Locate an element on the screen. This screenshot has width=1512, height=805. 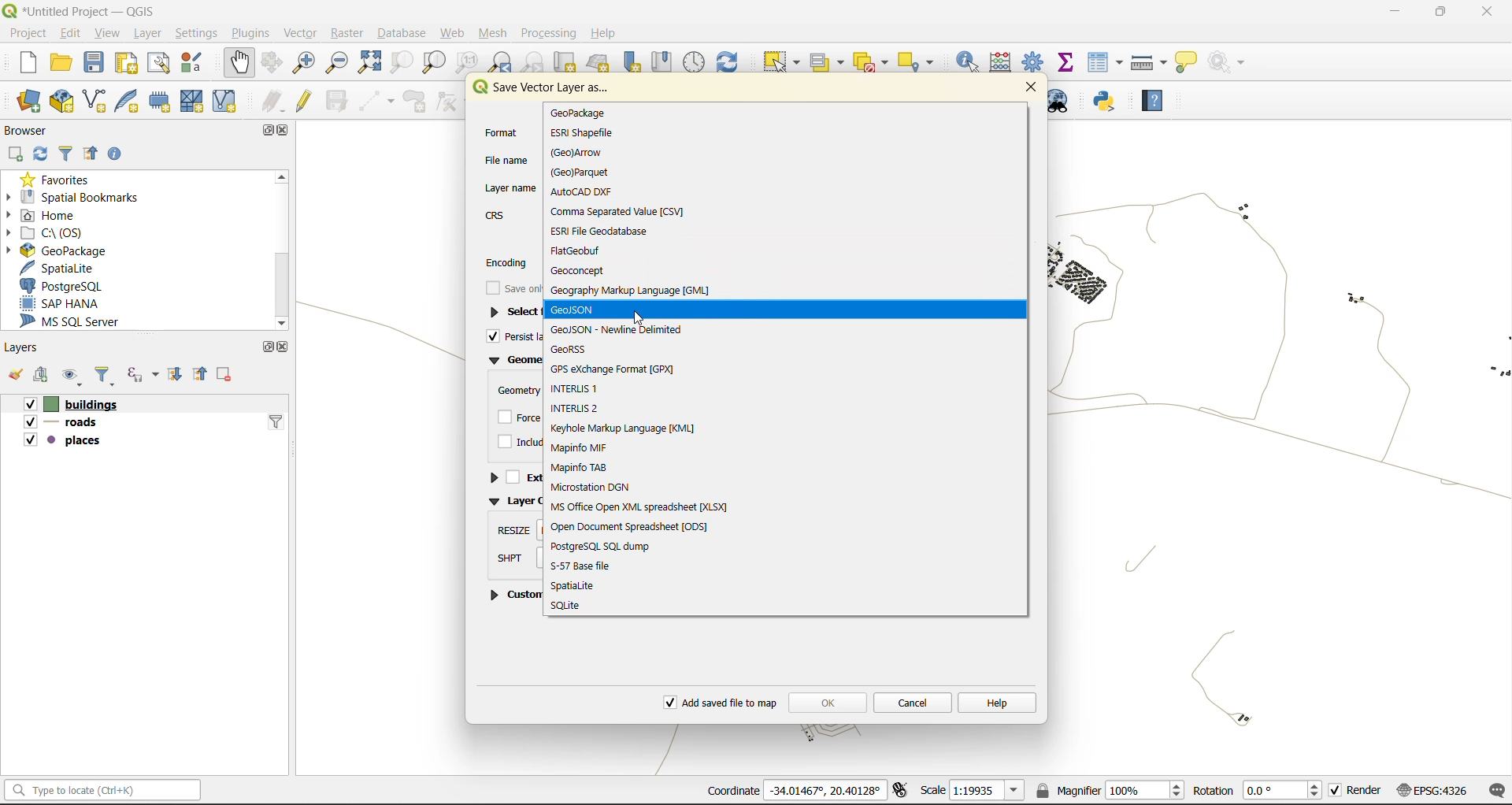
vertex tools is located at coordinates (450, 101).